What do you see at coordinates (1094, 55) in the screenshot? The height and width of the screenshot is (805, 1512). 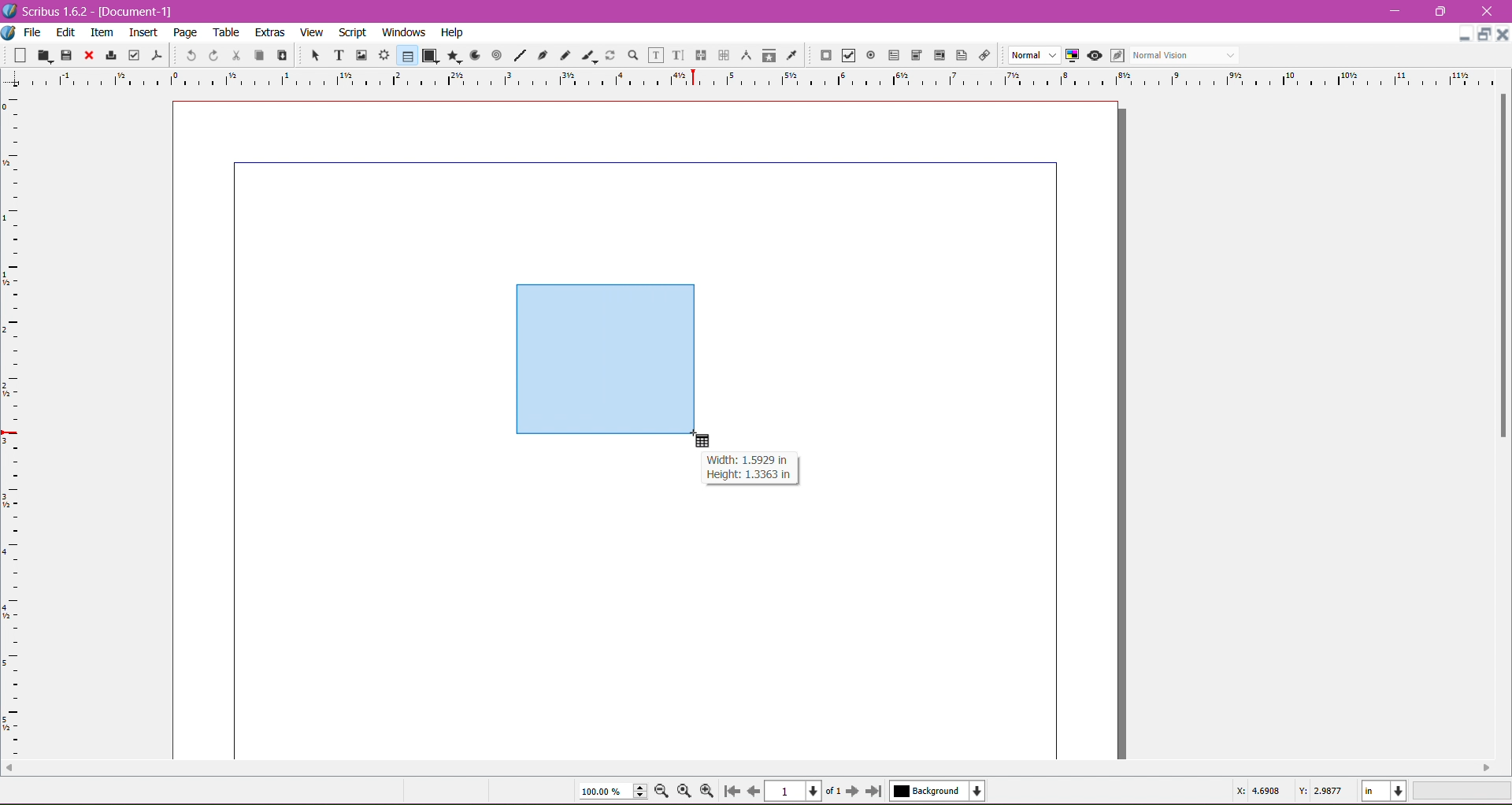 I see `Preview Mode` at bounding box center [1094, 55].